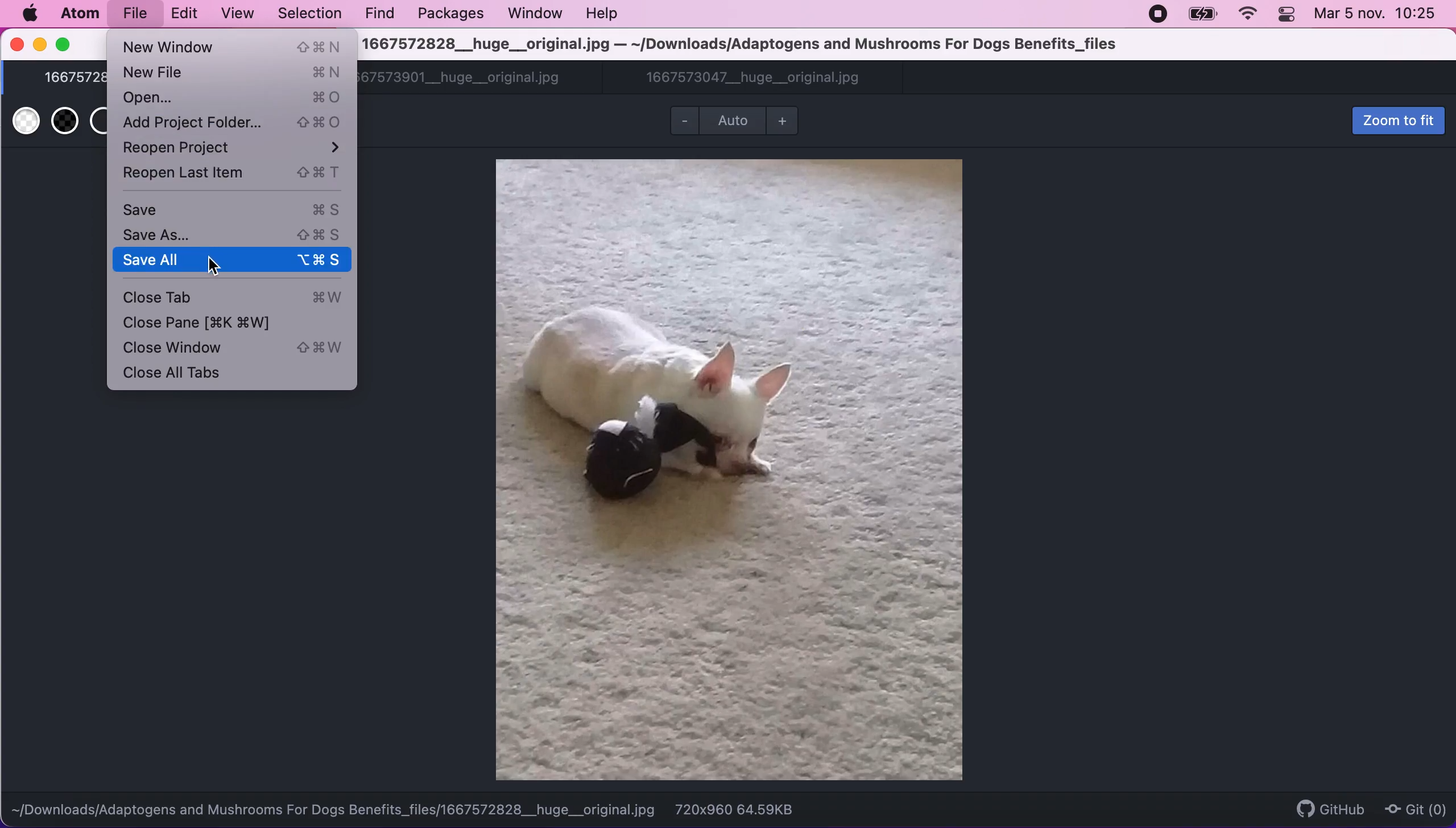 Image resolution: width=1456 pixels, height=828 pixels. Describe the element at coordinates (194, 374) in the screenshot. I see `close all tabs` at that location.